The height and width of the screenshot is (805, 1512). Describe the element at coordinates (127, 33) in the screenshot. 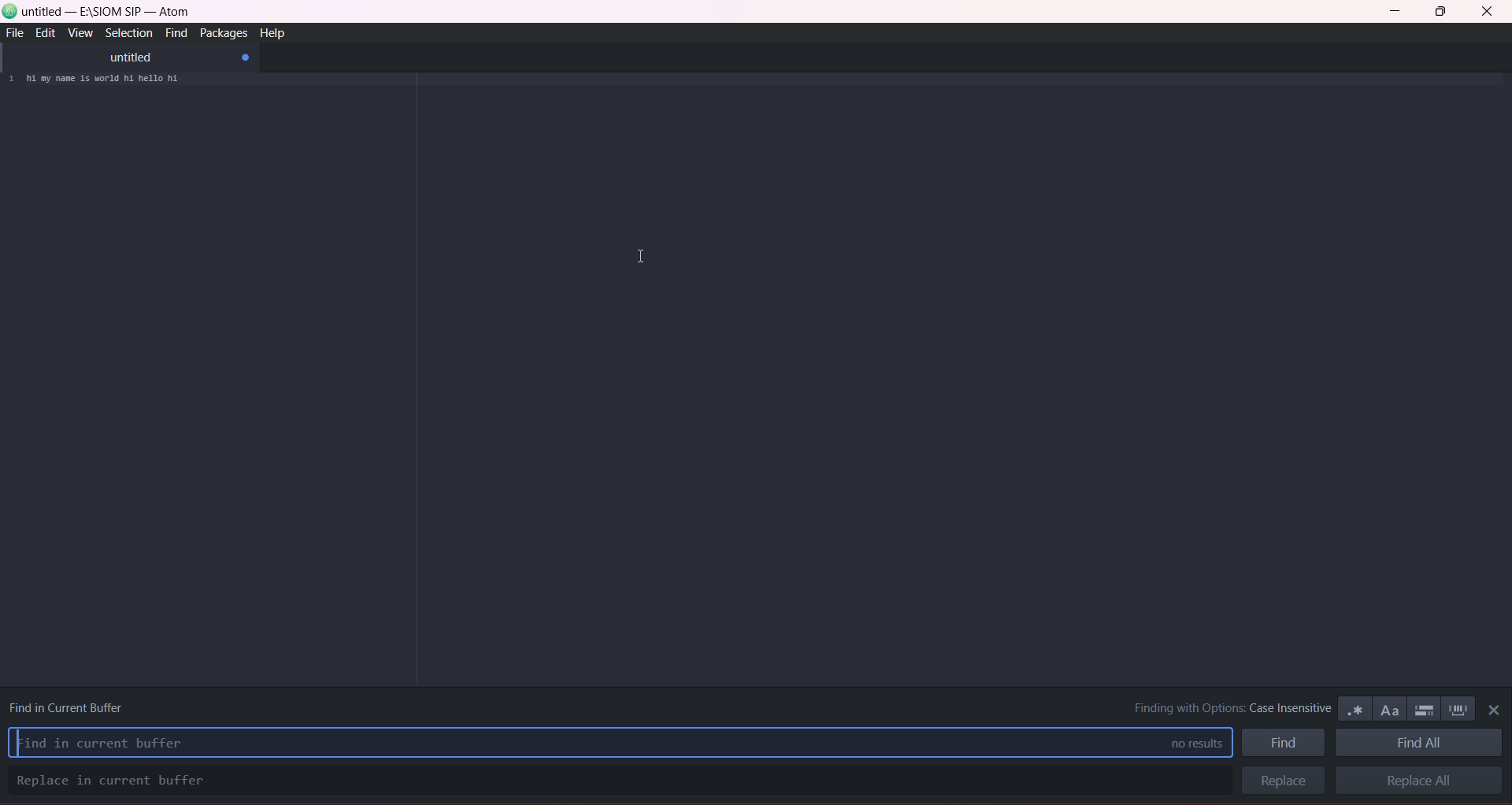

I see `selection` at that location.